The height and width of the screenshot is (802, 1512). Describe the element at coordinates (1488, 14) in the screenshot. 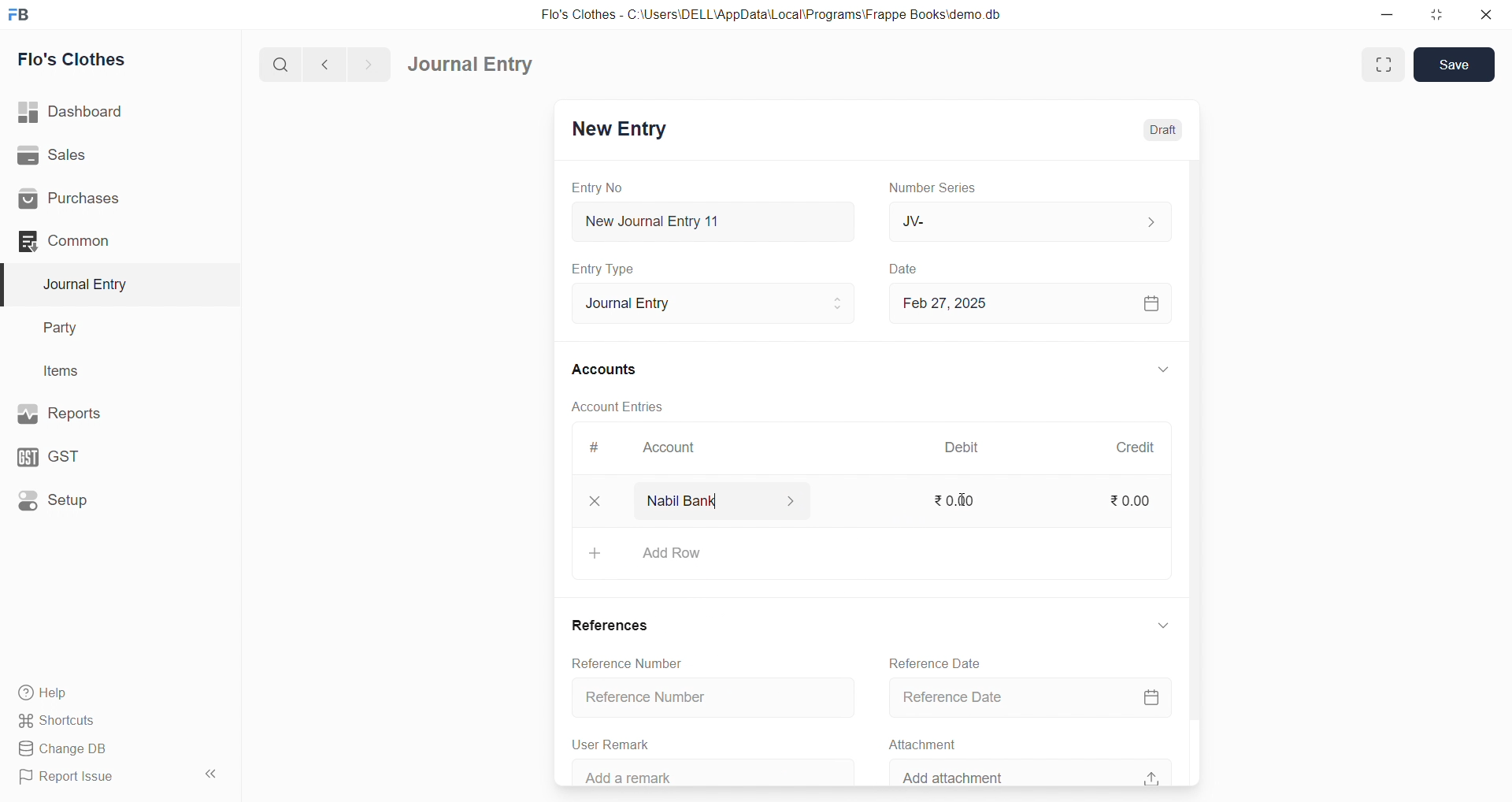

I see `close` at that location.